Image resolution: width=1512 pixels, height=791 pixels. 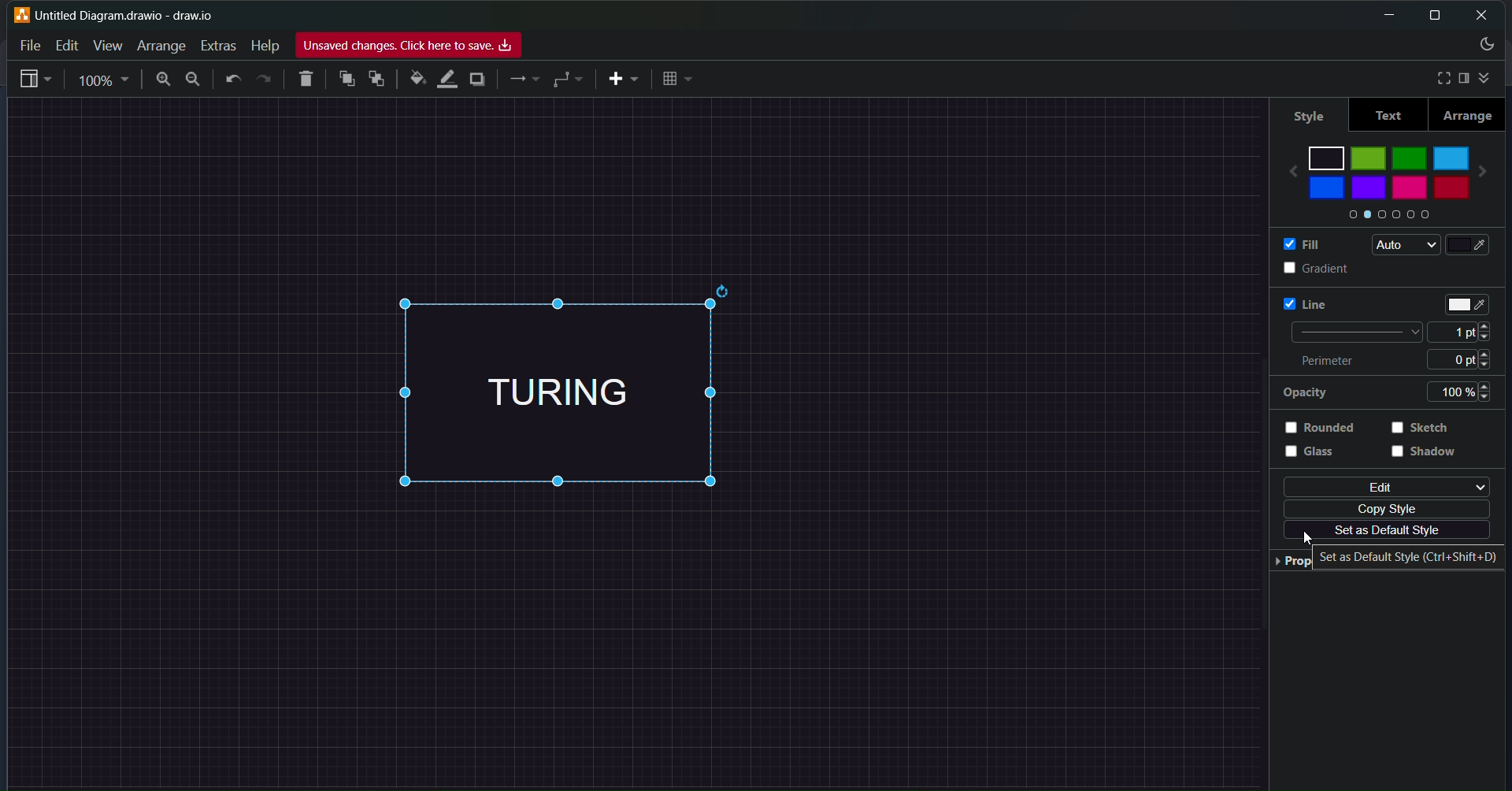 I want to click on to back, so click(x=377, y=80).